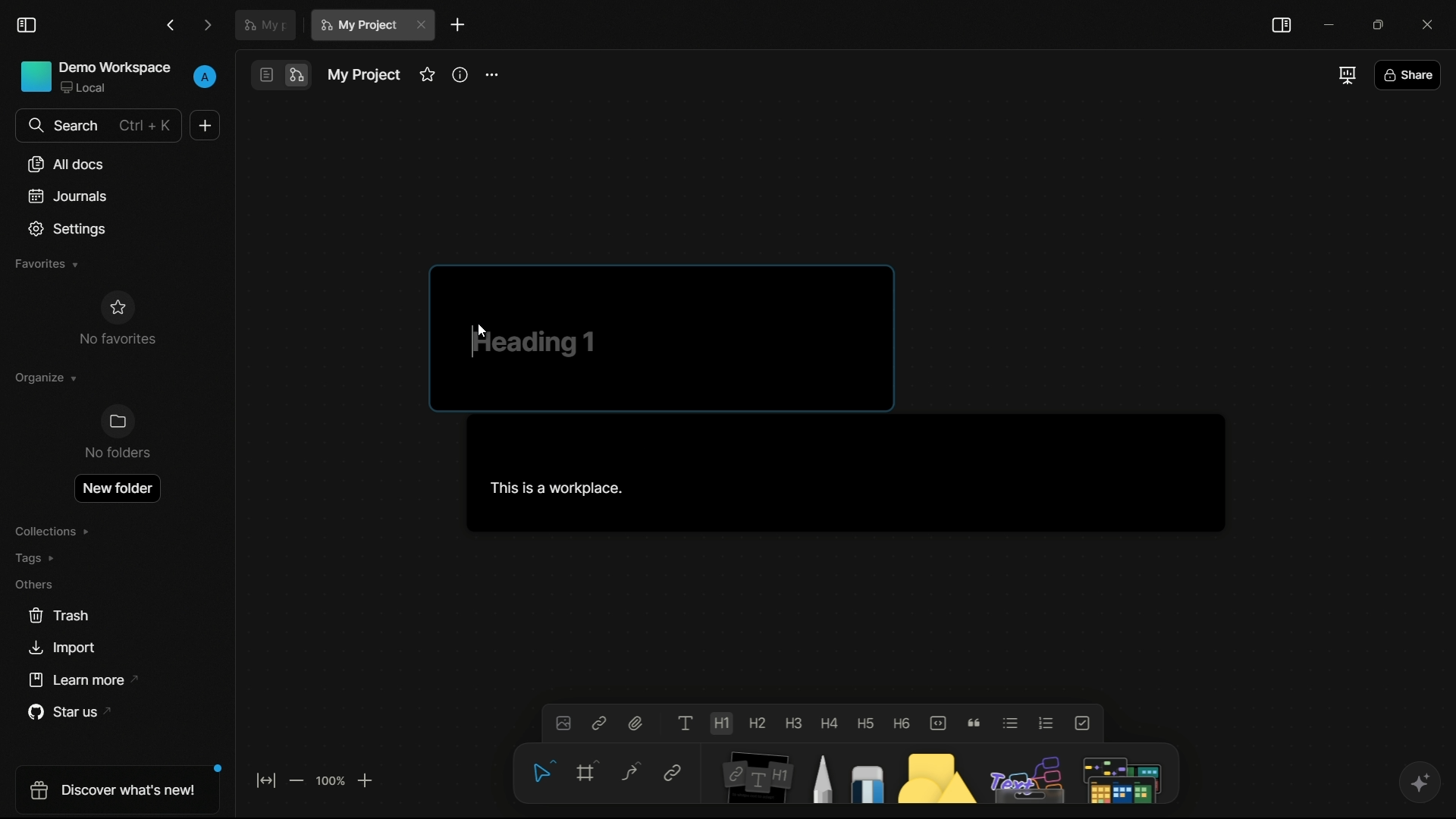 The image size is (1456, 819). I want to click on document tab, so click(265, 24).